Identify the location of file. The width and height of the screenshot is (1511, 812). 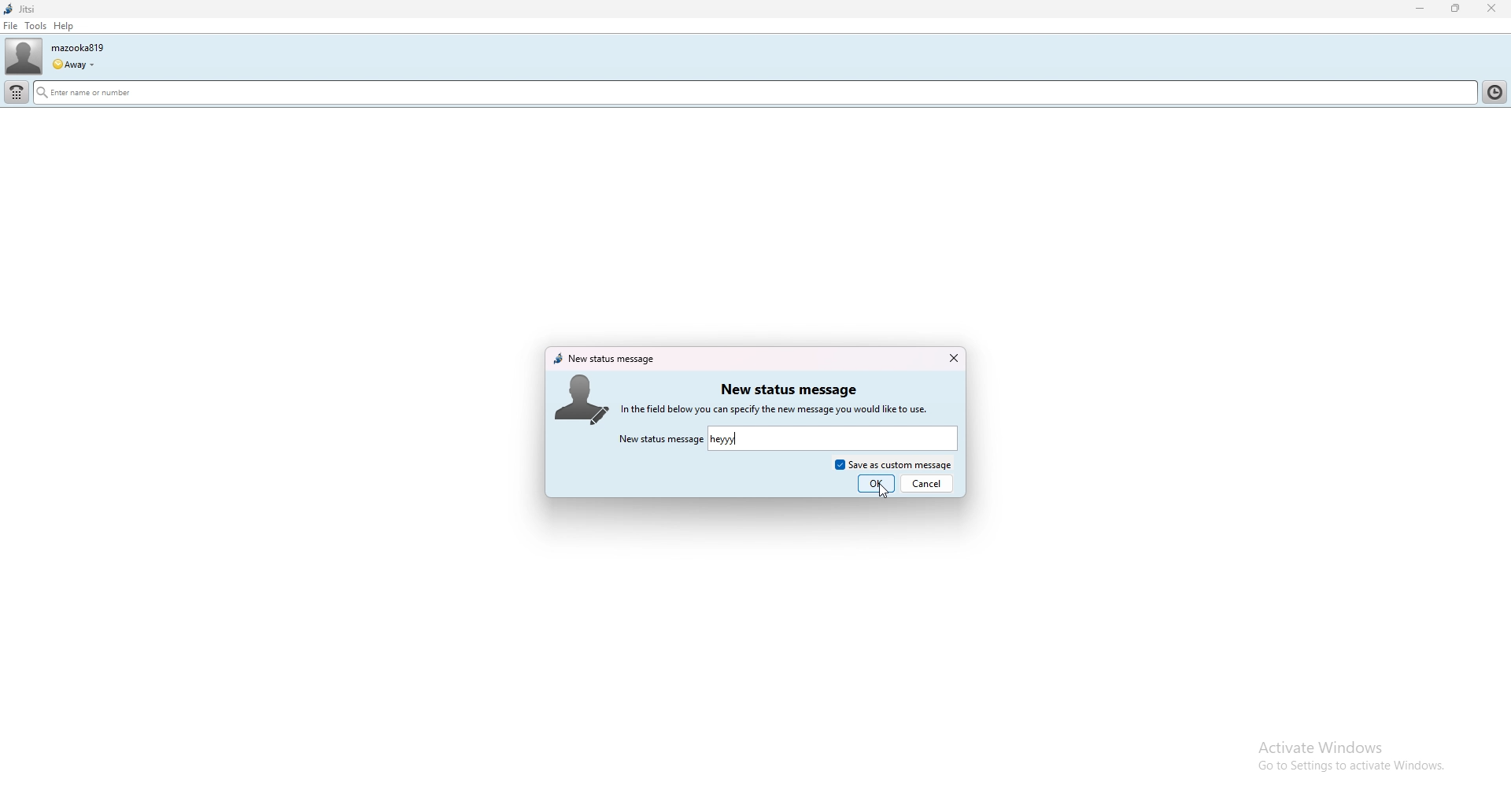
(10, 26).